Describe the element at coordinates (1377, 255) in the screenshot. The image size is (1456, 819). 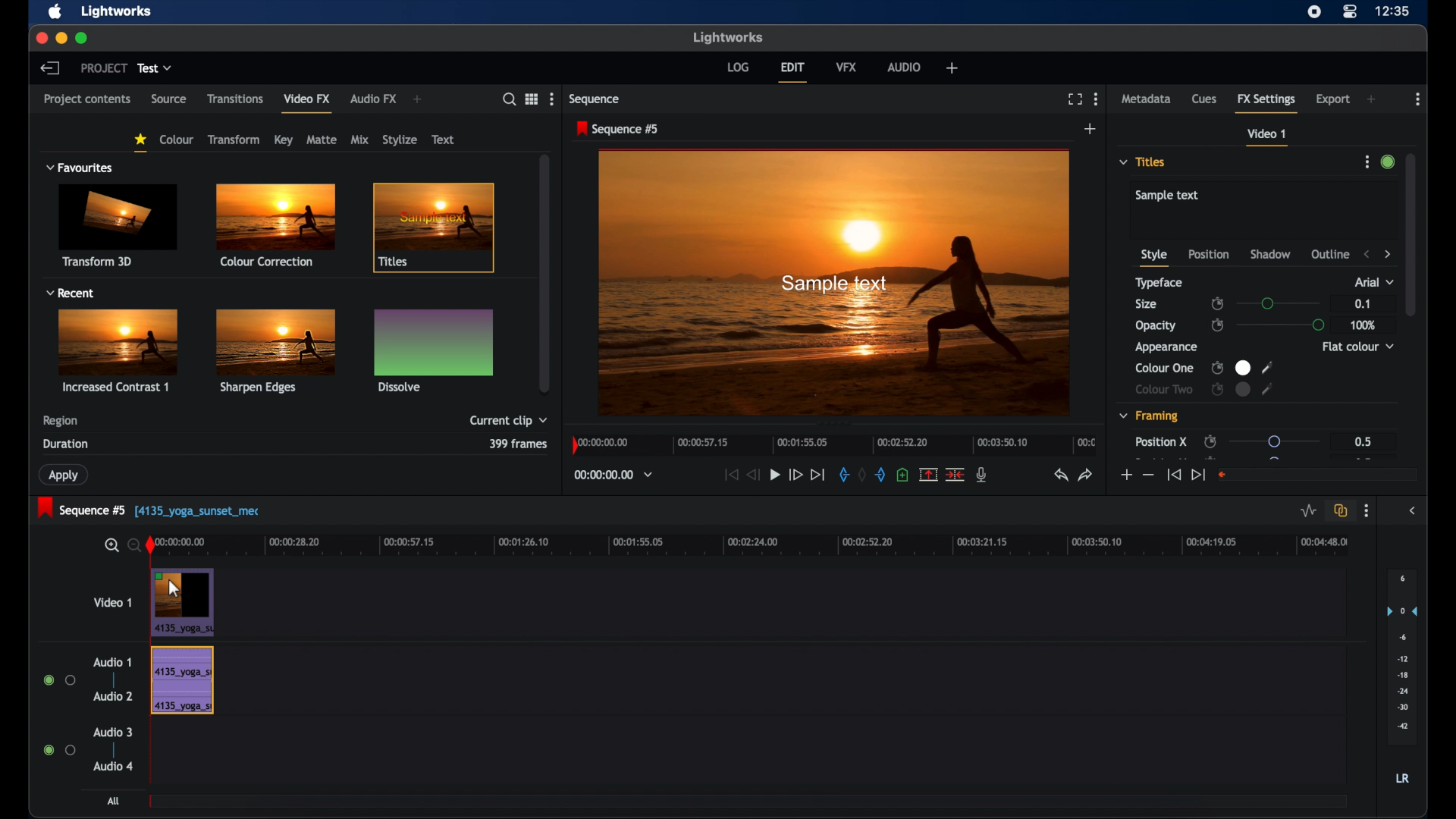
I see `stepper buttons` at that location.